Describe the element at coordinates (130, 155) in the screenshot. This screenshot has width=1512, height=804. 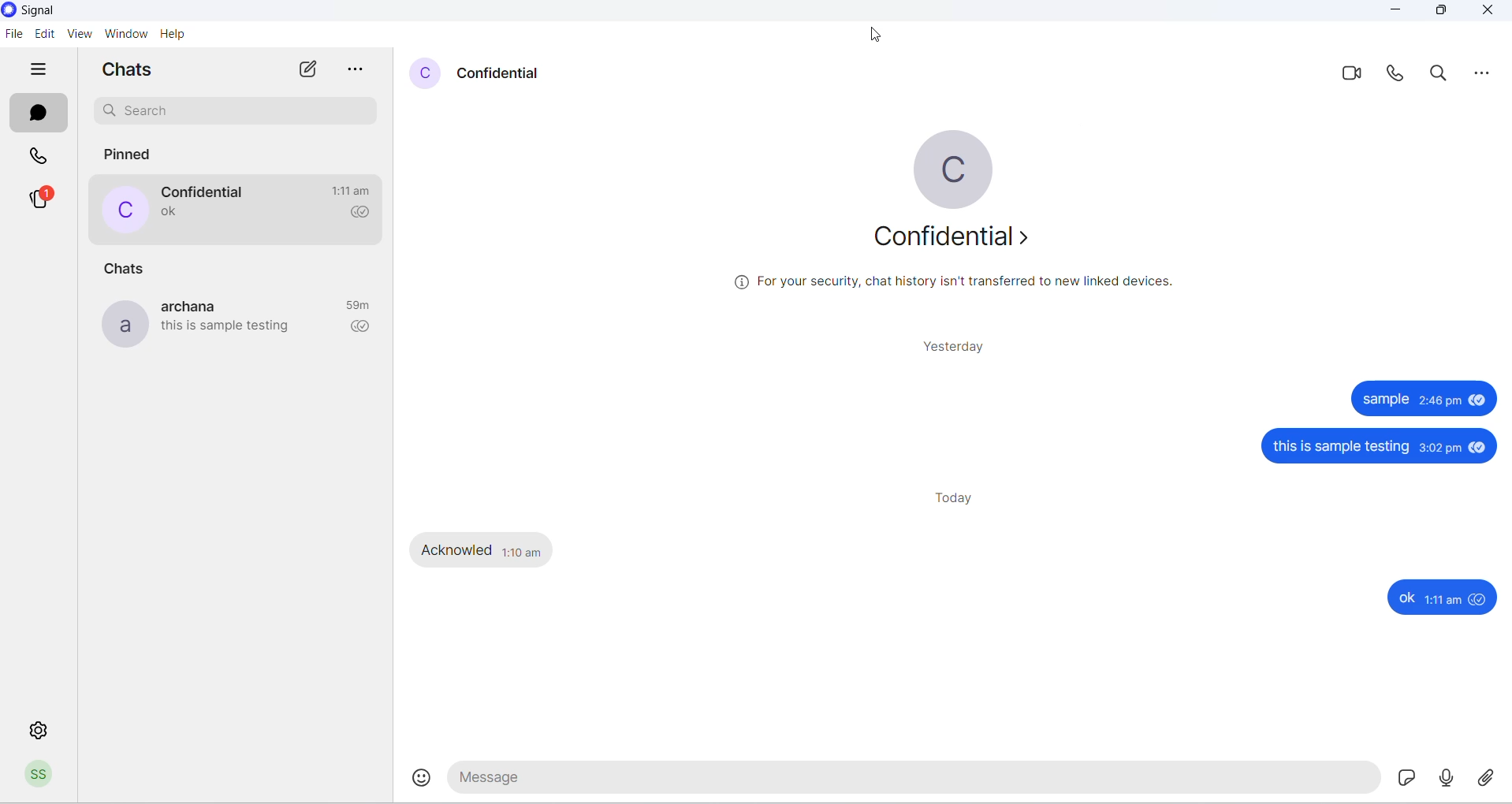
I see `pinned chats heading` at that location.